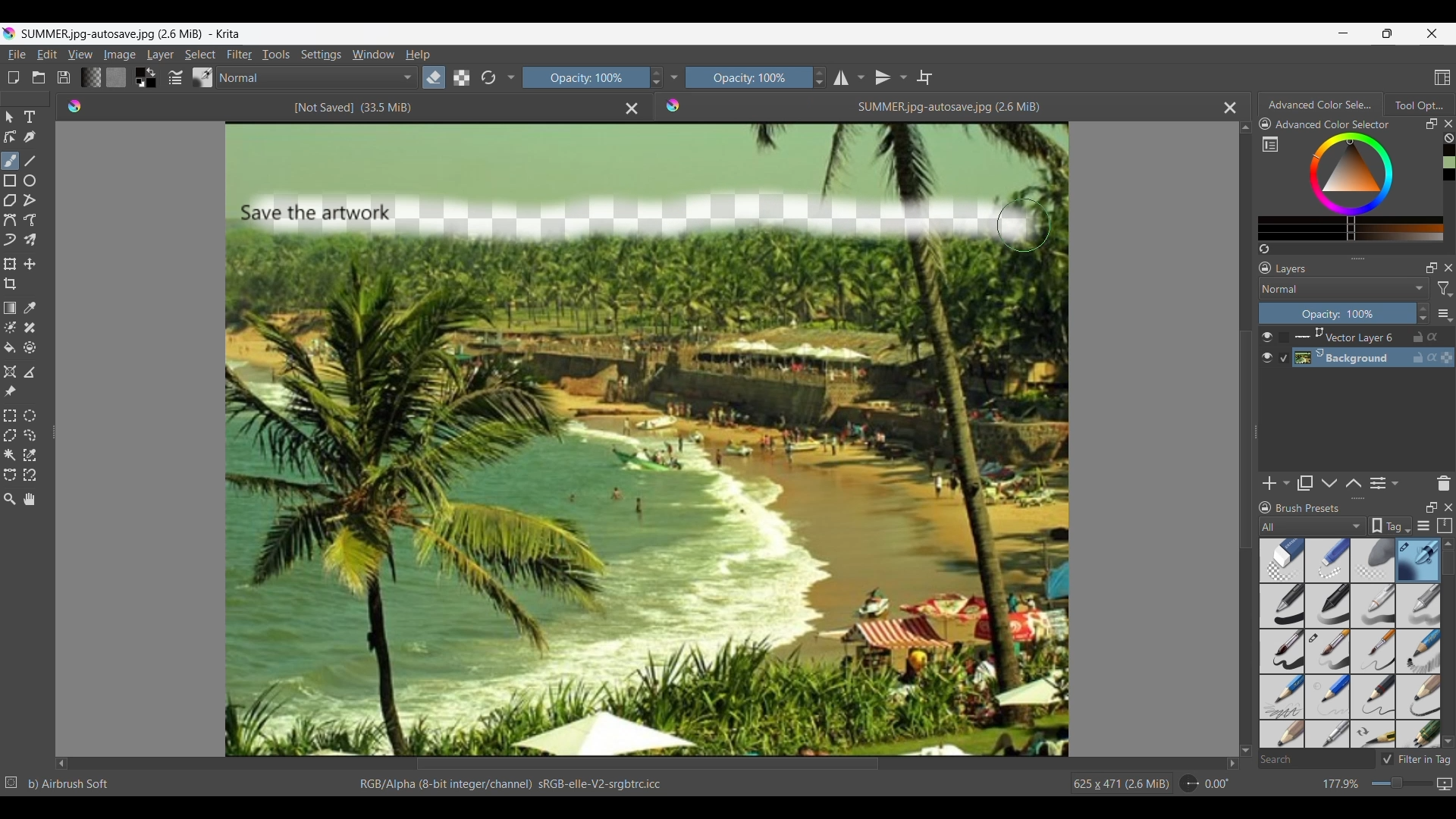  What do you see at coordinates (9, 416) in the screenshot?
I see `Rectangular selection tool` at bounding box center [9, 416].